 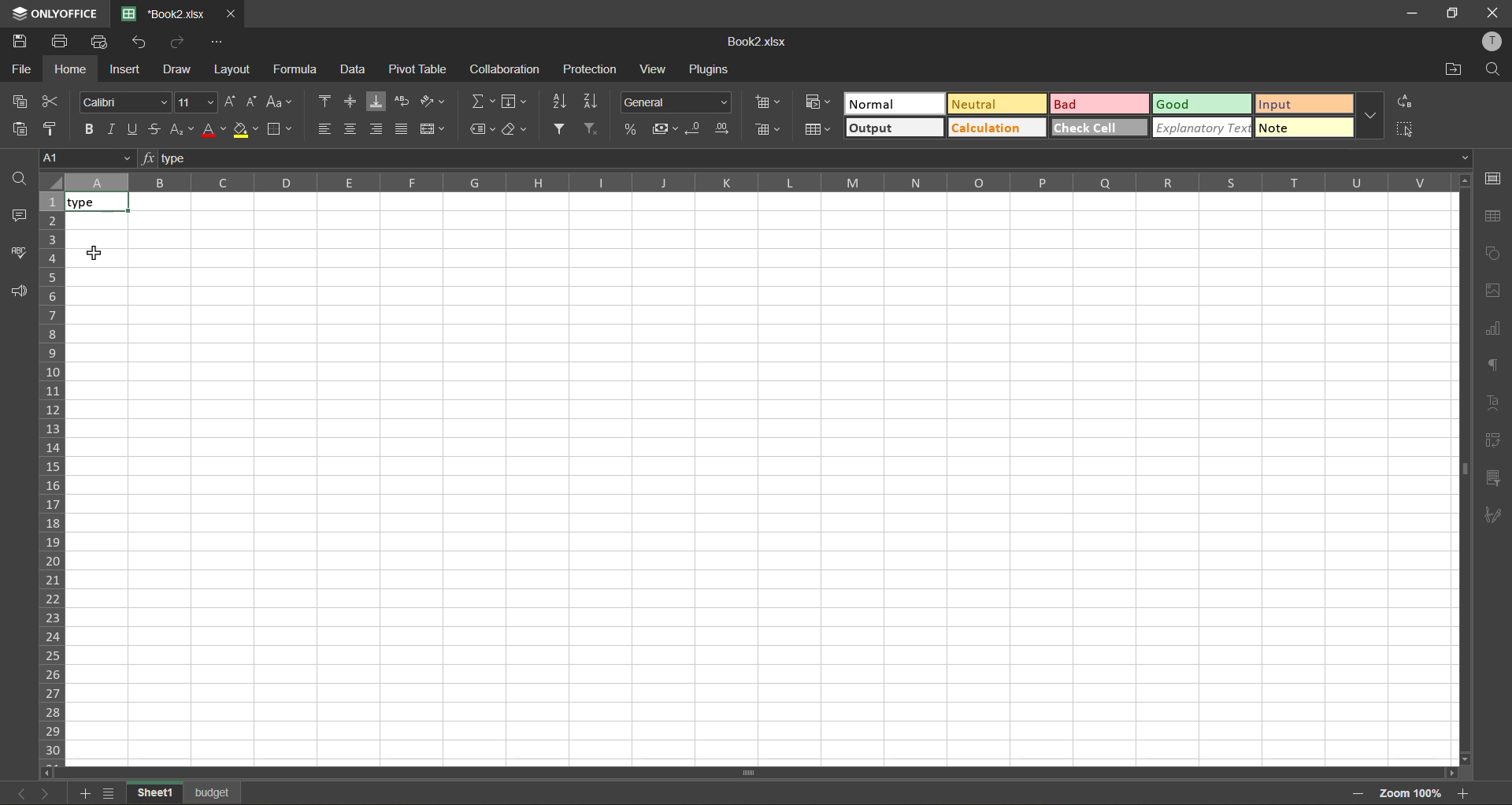 What do you see at coordinates (19, 69) in the screenshot?
I see `file` at bounding box center [19, 69].